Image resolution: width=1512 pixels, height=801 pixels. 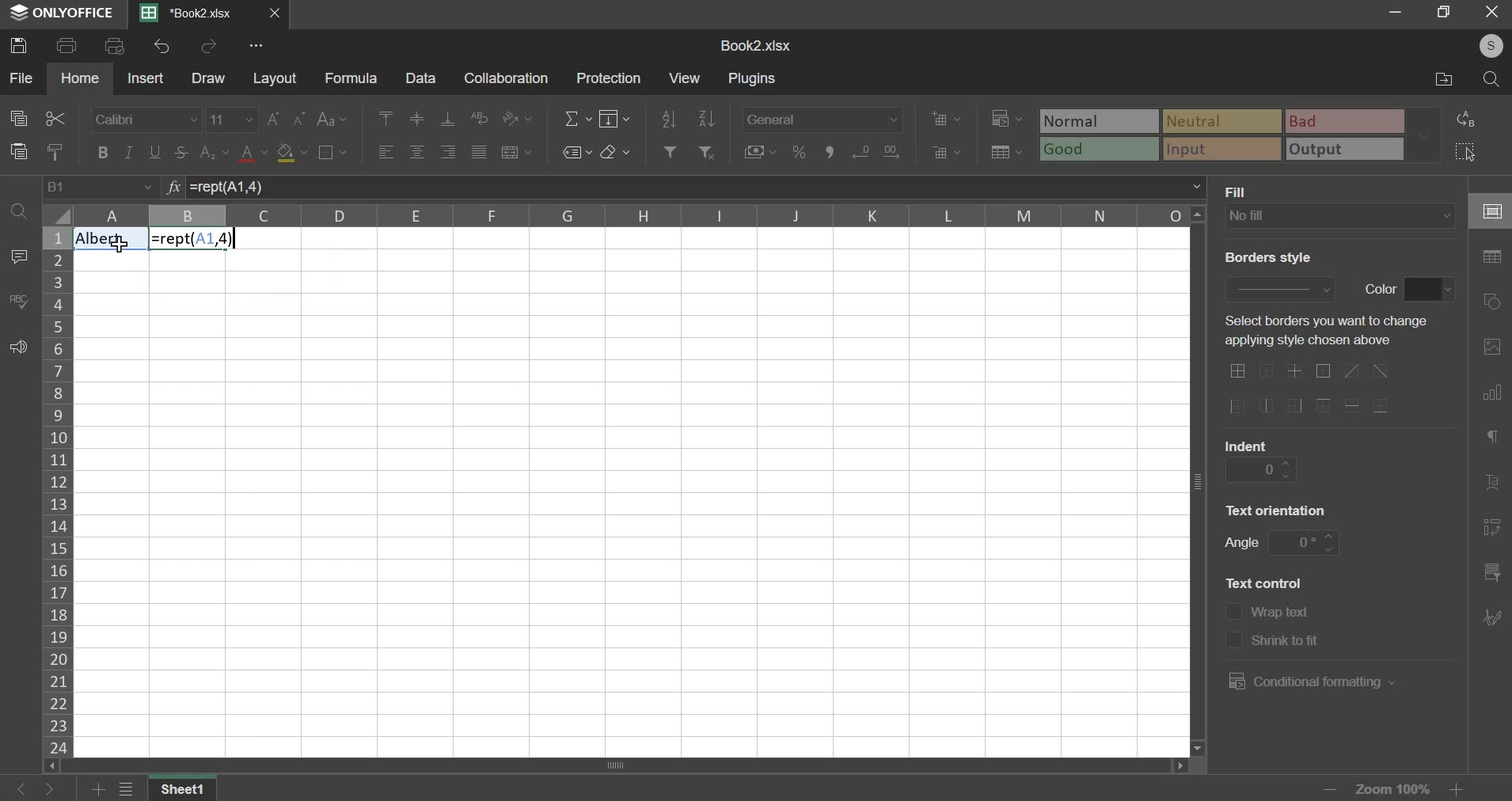 I want to click on font, so click(x=146, y=120).